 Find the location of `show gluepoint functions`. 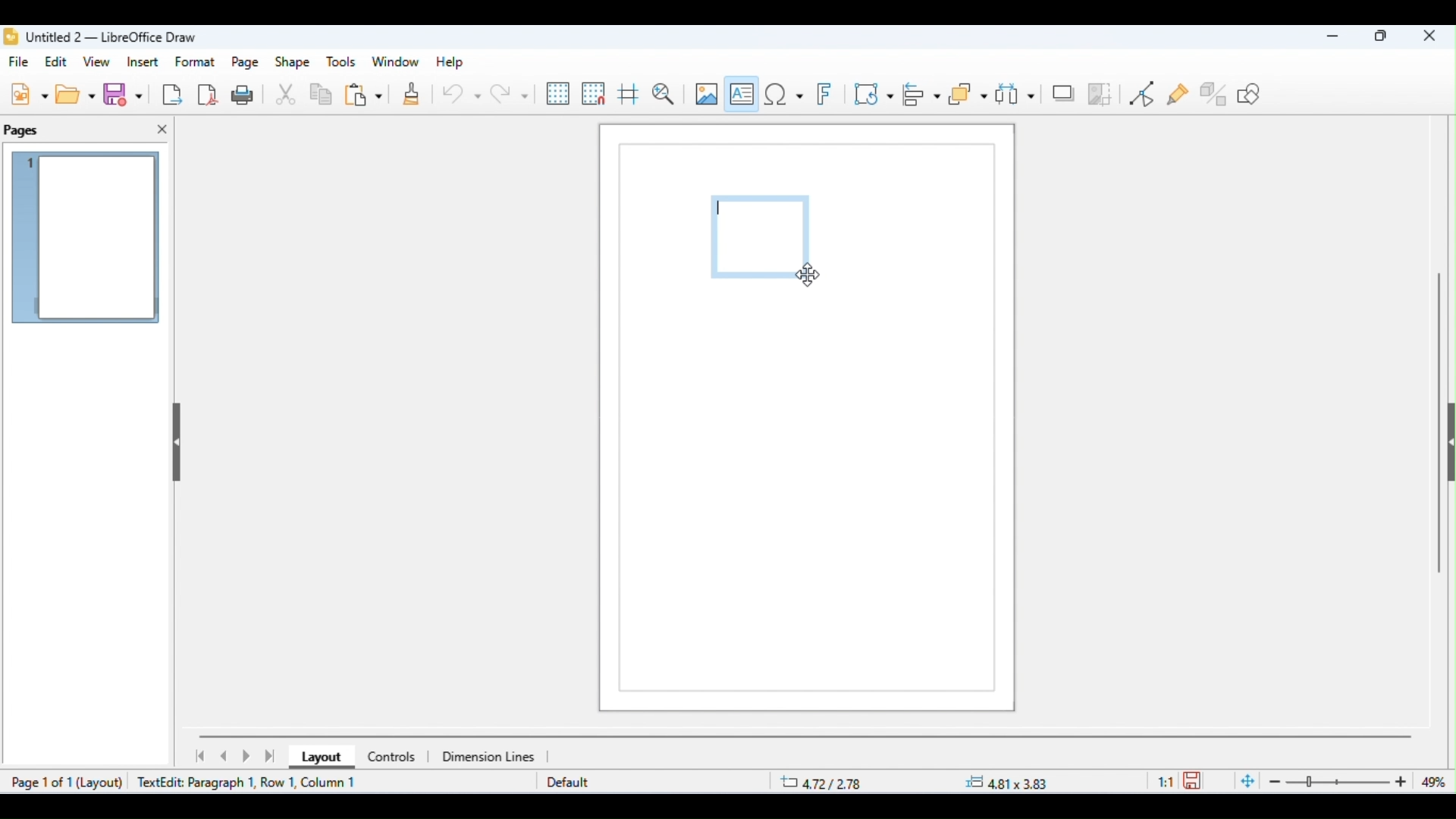

show gluepoint functions is located at coordinates (1179, 96).